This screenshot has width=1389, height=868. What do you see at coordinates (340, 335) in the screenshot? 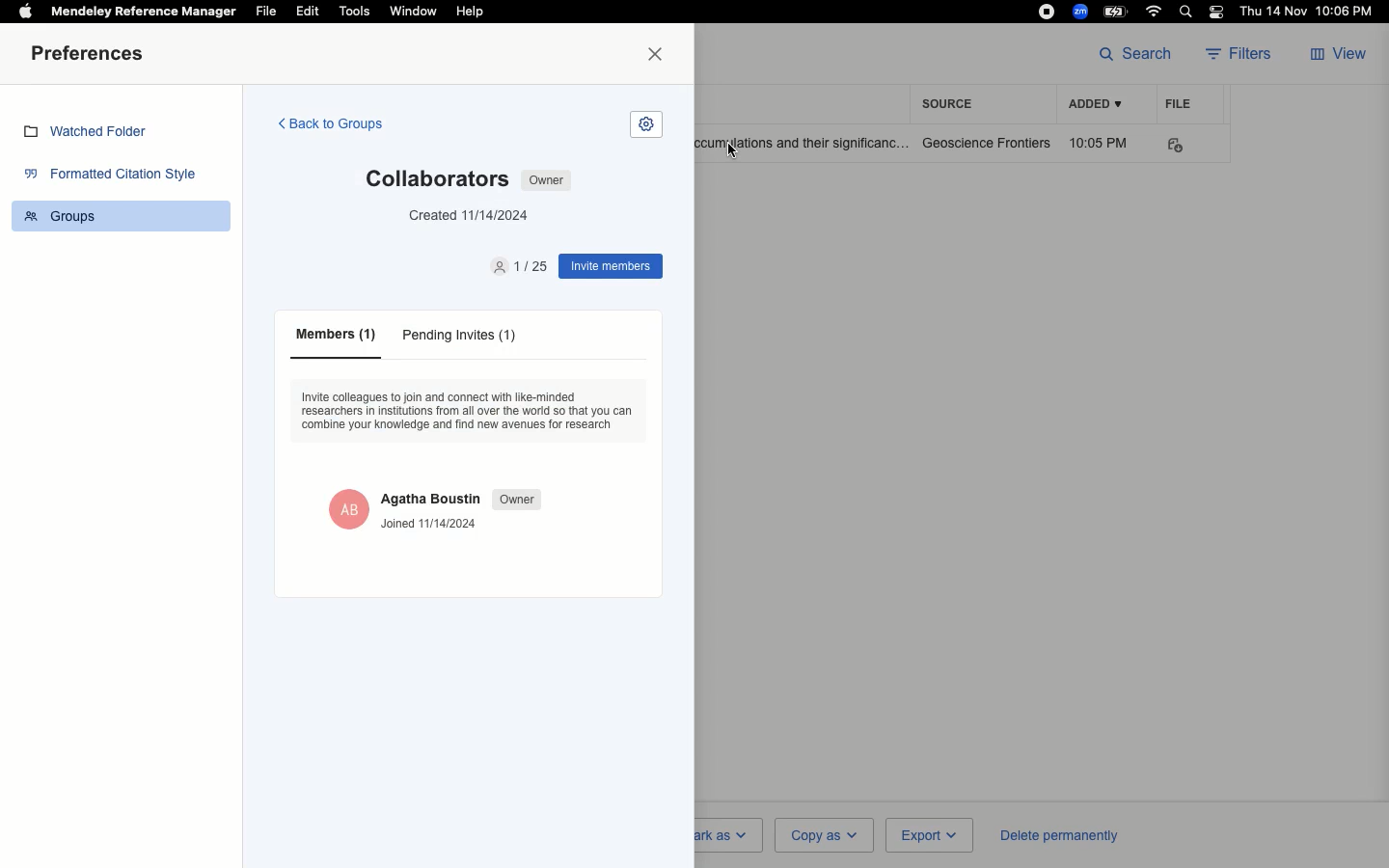
I see `members` at bounding box center [340, 335].